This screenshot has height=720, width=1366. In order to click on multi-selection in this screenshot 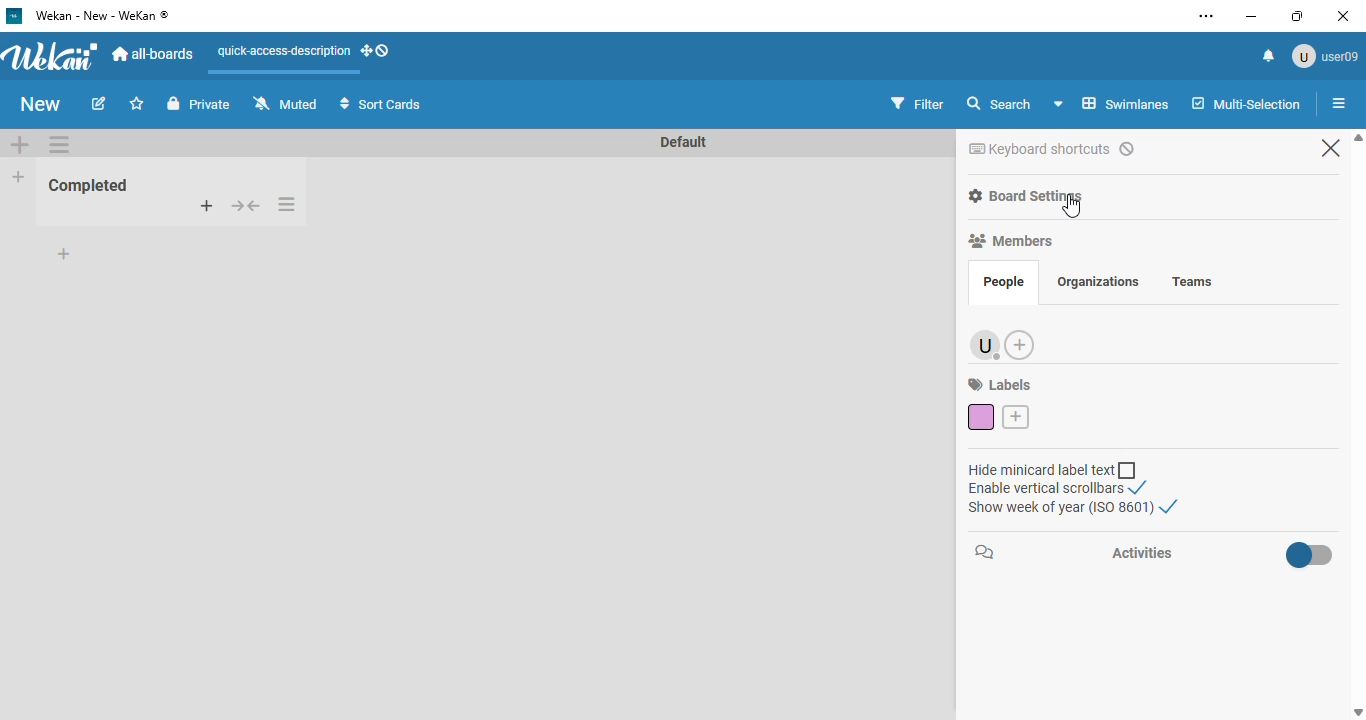, I will do `click(1247, 104)`.